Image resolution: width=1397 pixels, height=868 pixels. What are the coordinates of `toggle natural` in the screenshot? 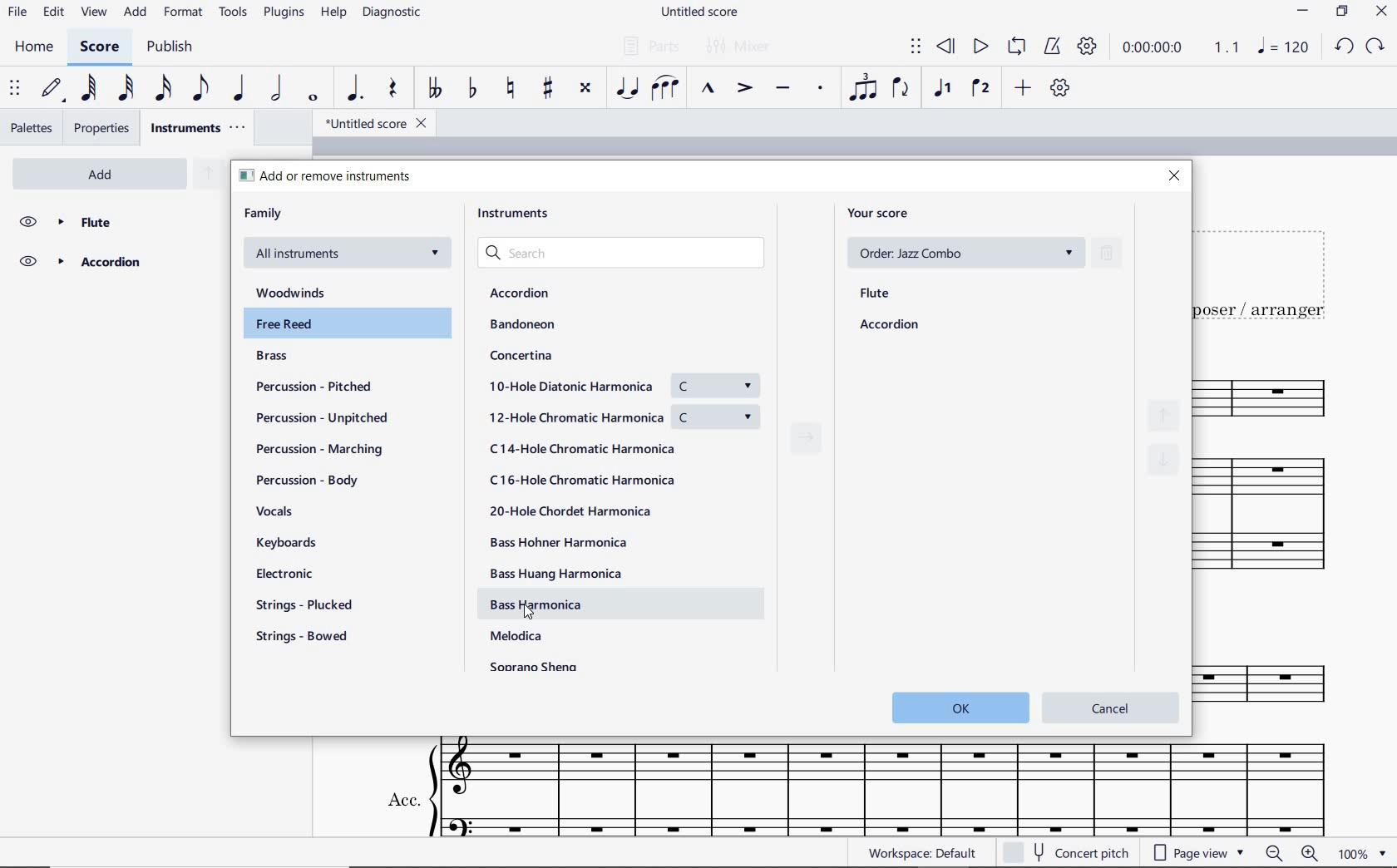 It's located at (509, 89).